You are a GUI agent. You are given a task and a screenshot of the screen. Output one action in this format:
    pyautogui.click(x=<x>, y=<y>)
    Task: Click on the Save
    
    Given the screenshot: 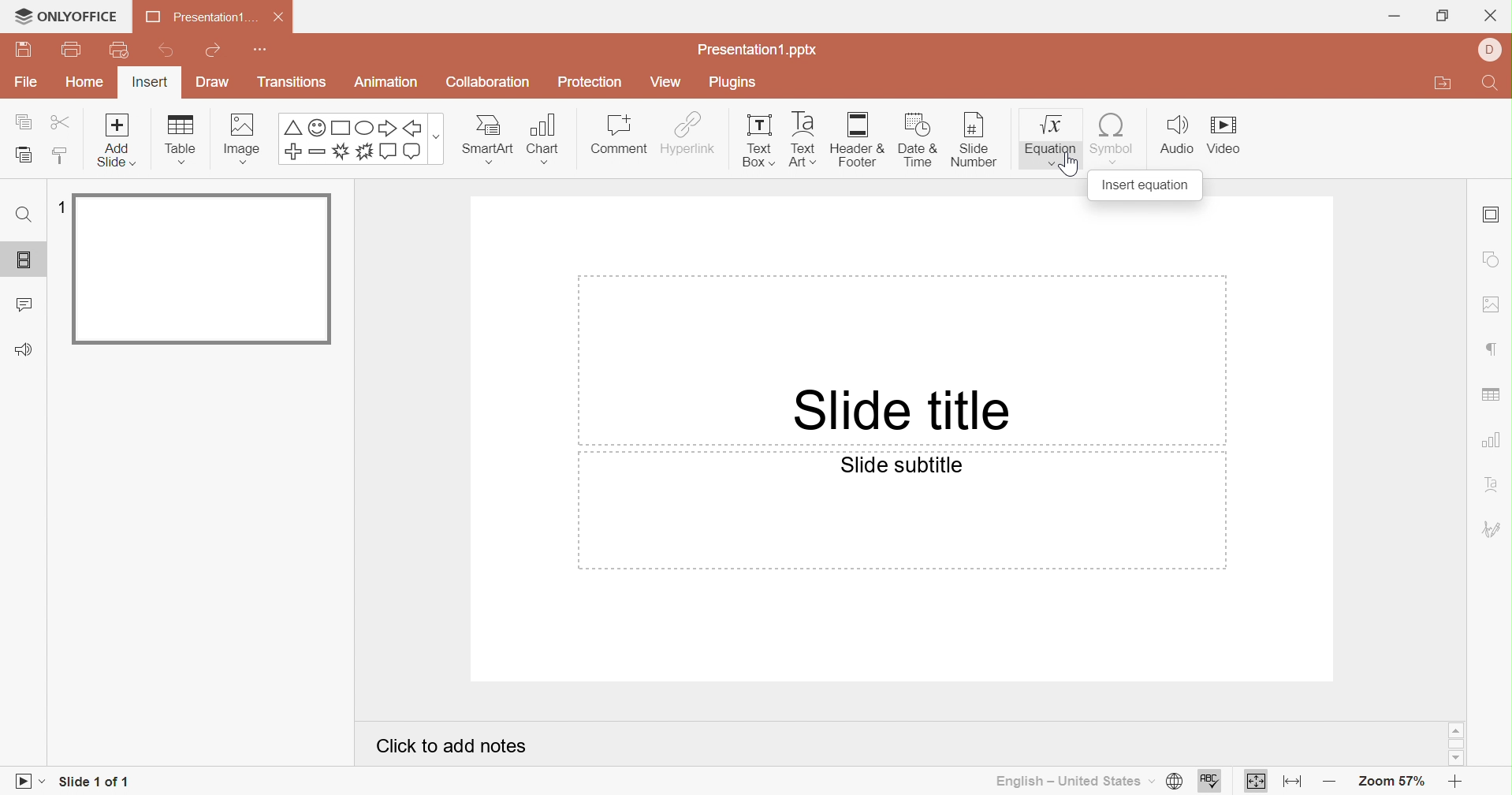 What is the action you would take?
    pyautogui.click(x=34, y=49)
    